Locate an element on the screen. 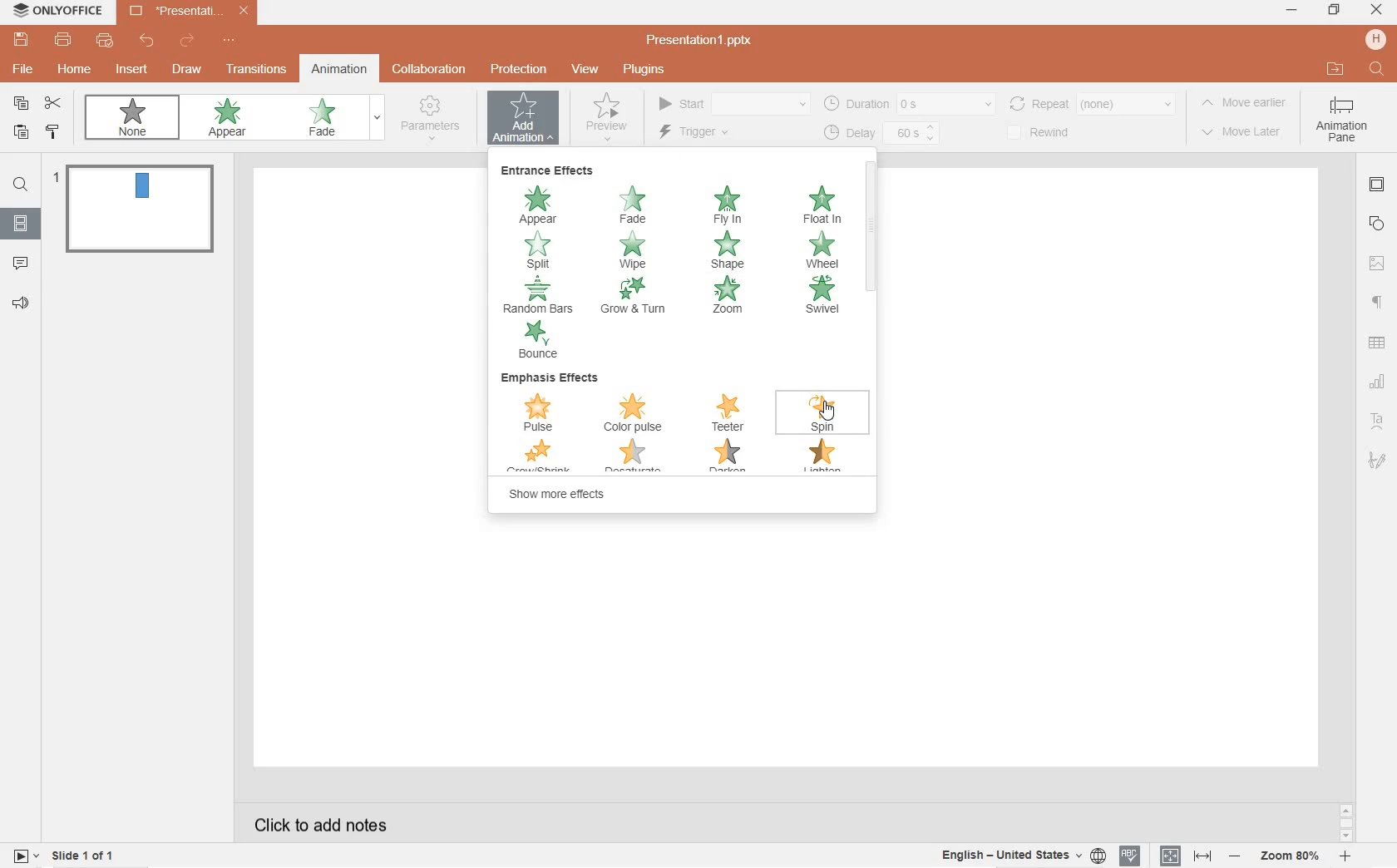 The width and height of the screenshot is (1397, 868). set text or document language is located at coordinates (1183, 856).